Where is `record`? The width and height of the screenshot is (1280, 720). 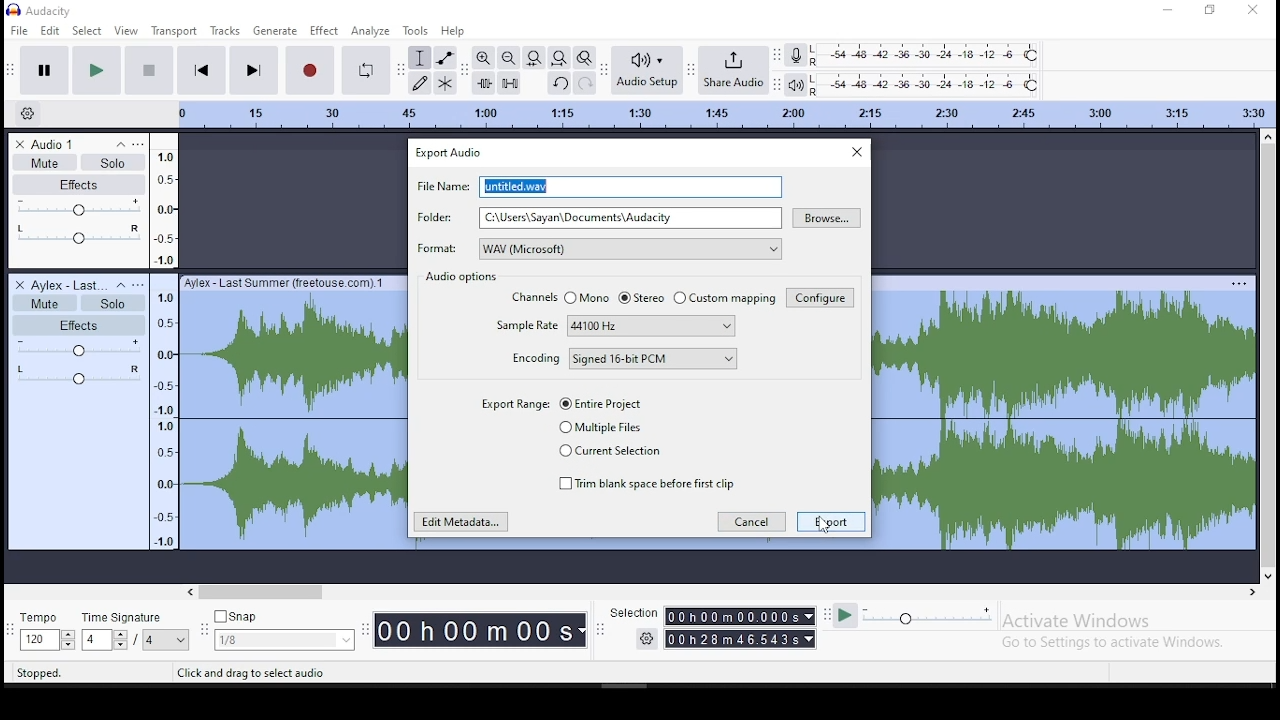
record is located at coordinates (310, 71).